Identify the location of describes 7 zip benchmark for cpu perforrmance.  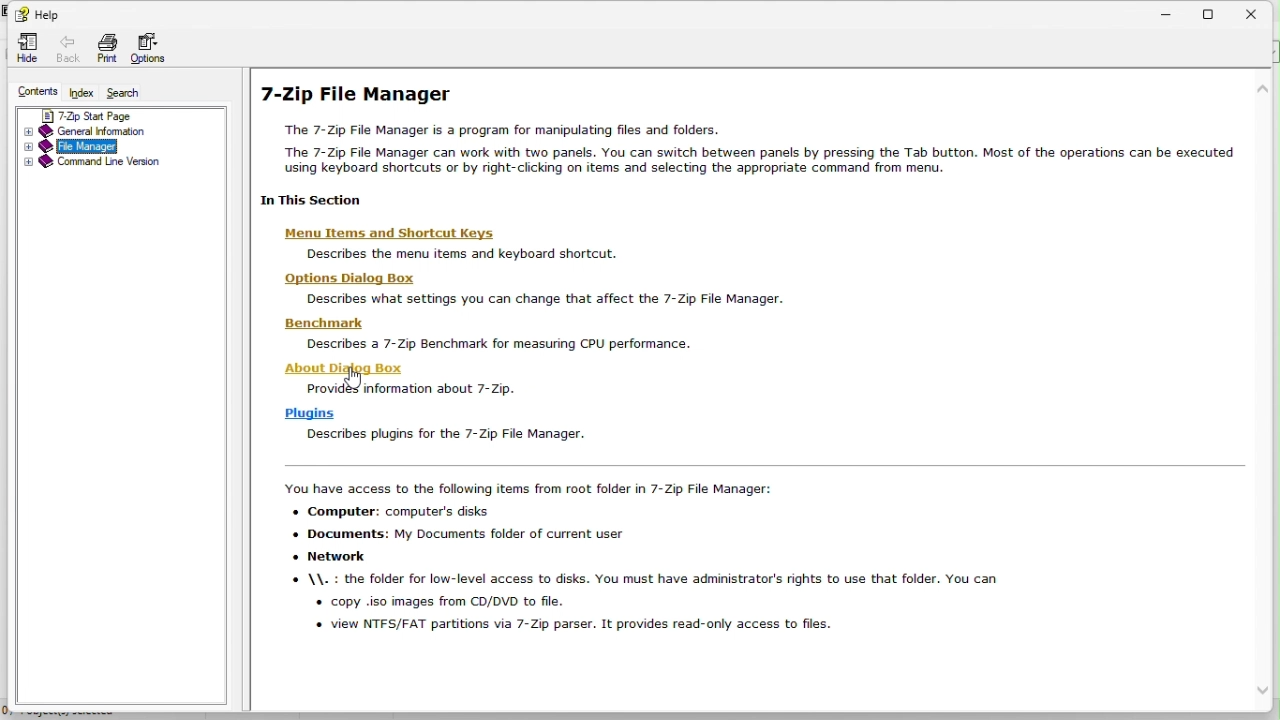
(490, 345).